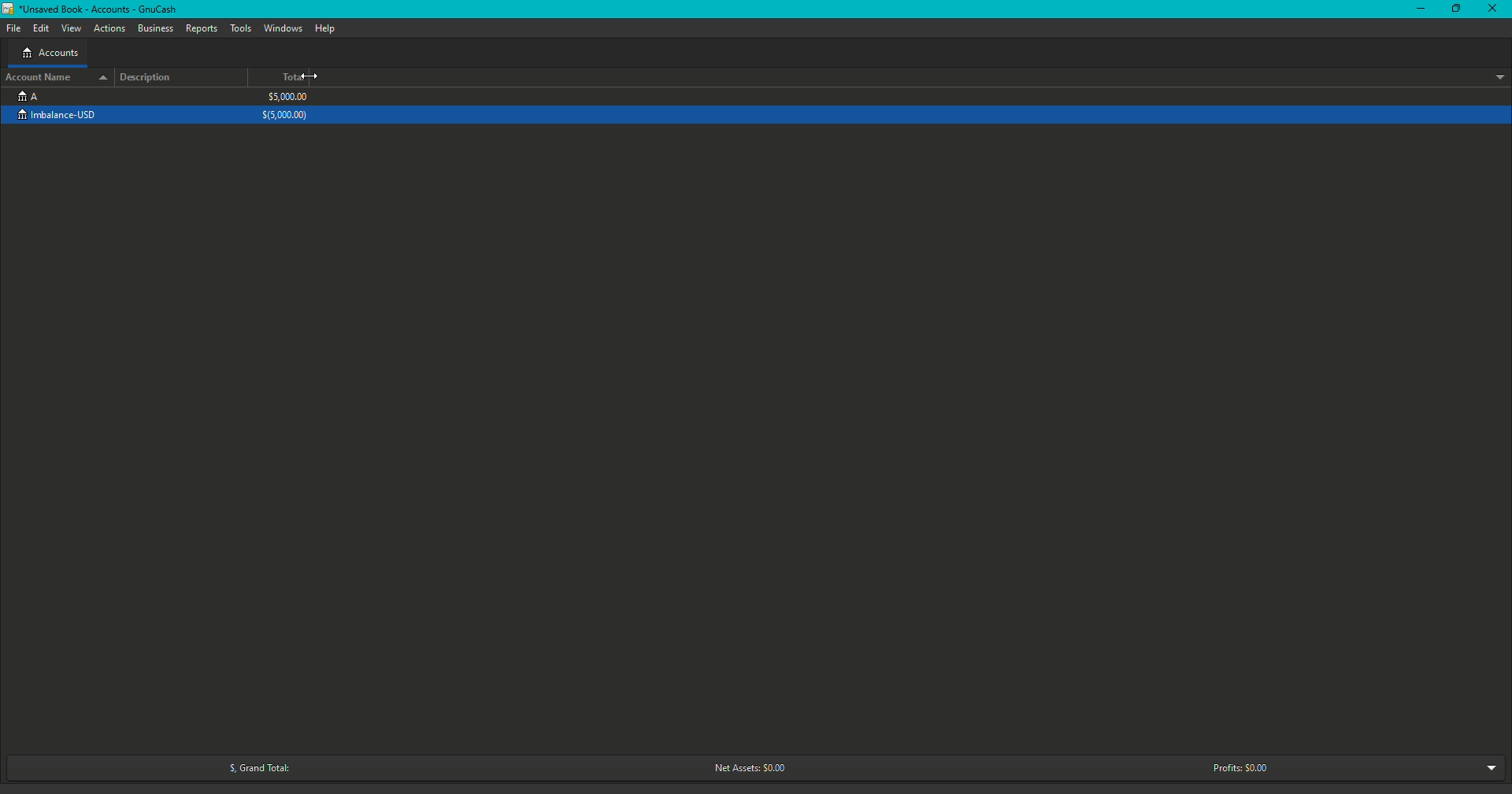 The image size is (1512, 794). What do you see at coordinates (202, 28) in the screenshot?
I see `Reports` at bounding box center [202, 28].